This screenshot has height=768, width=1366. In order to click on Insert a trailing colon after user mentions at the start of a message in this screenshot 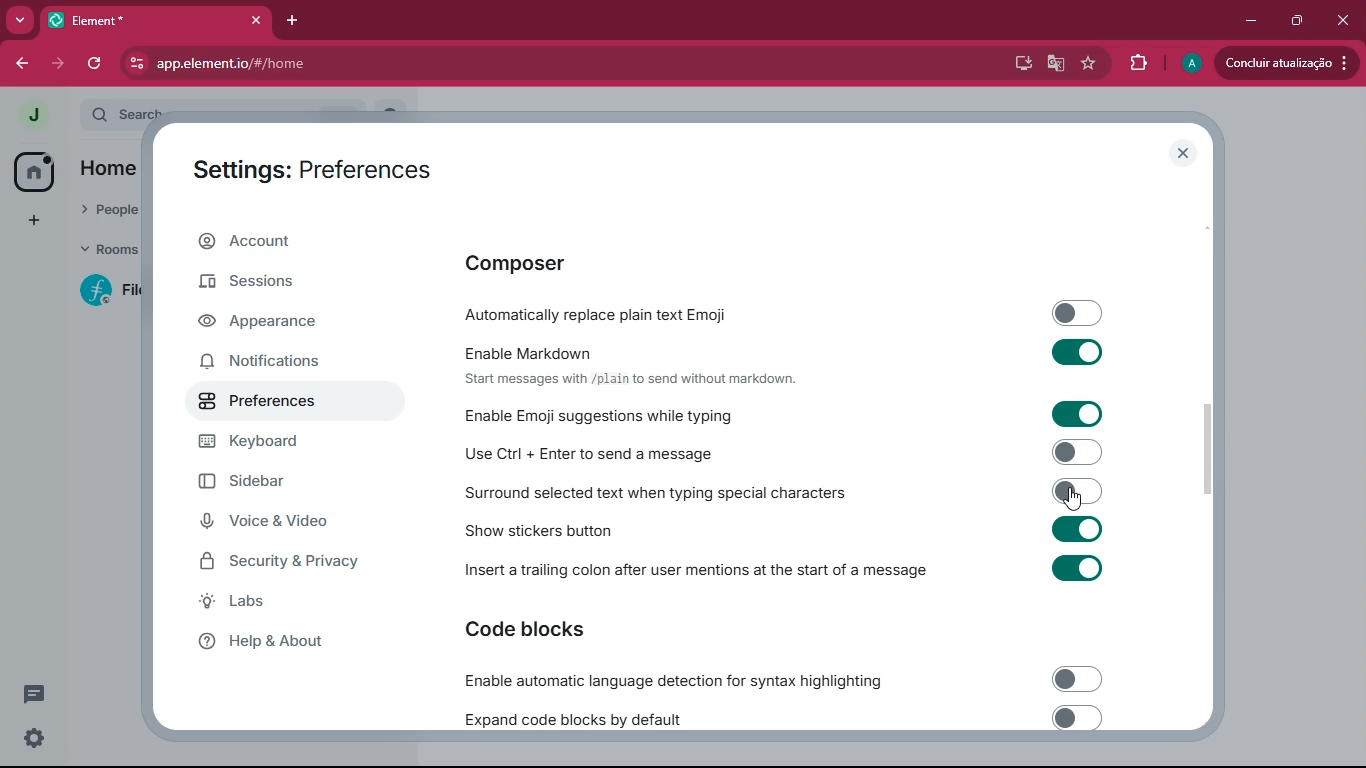, I will do `click(775, 570)`.